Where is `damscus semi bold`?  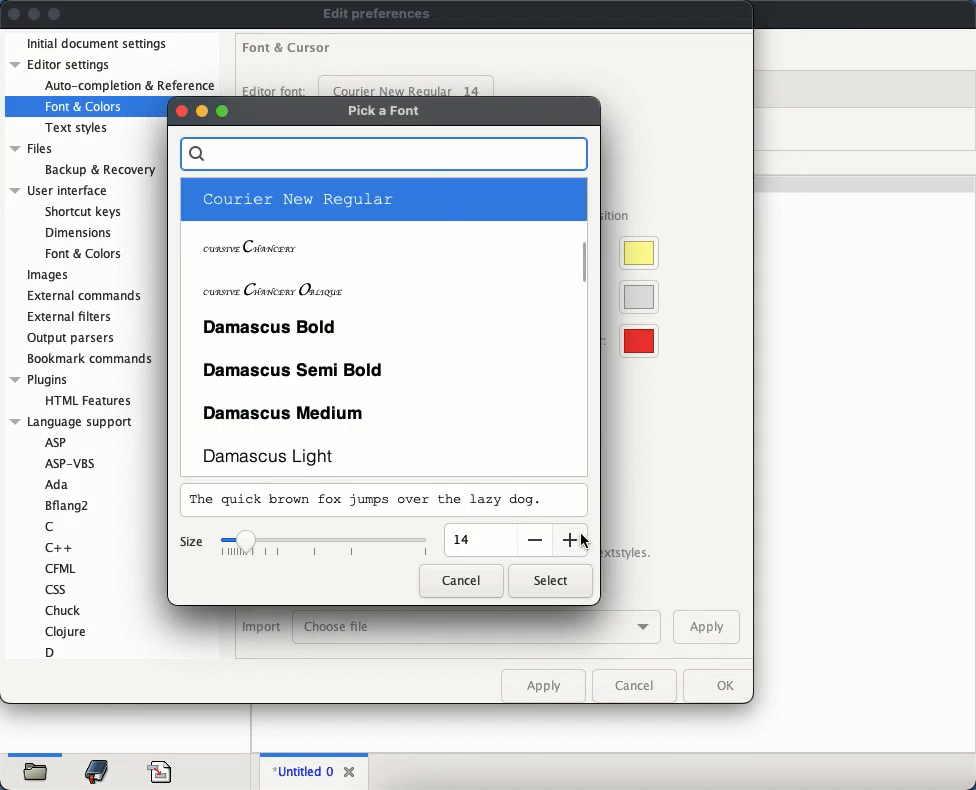
damscus semi bold is located at coordinates (383, 367).